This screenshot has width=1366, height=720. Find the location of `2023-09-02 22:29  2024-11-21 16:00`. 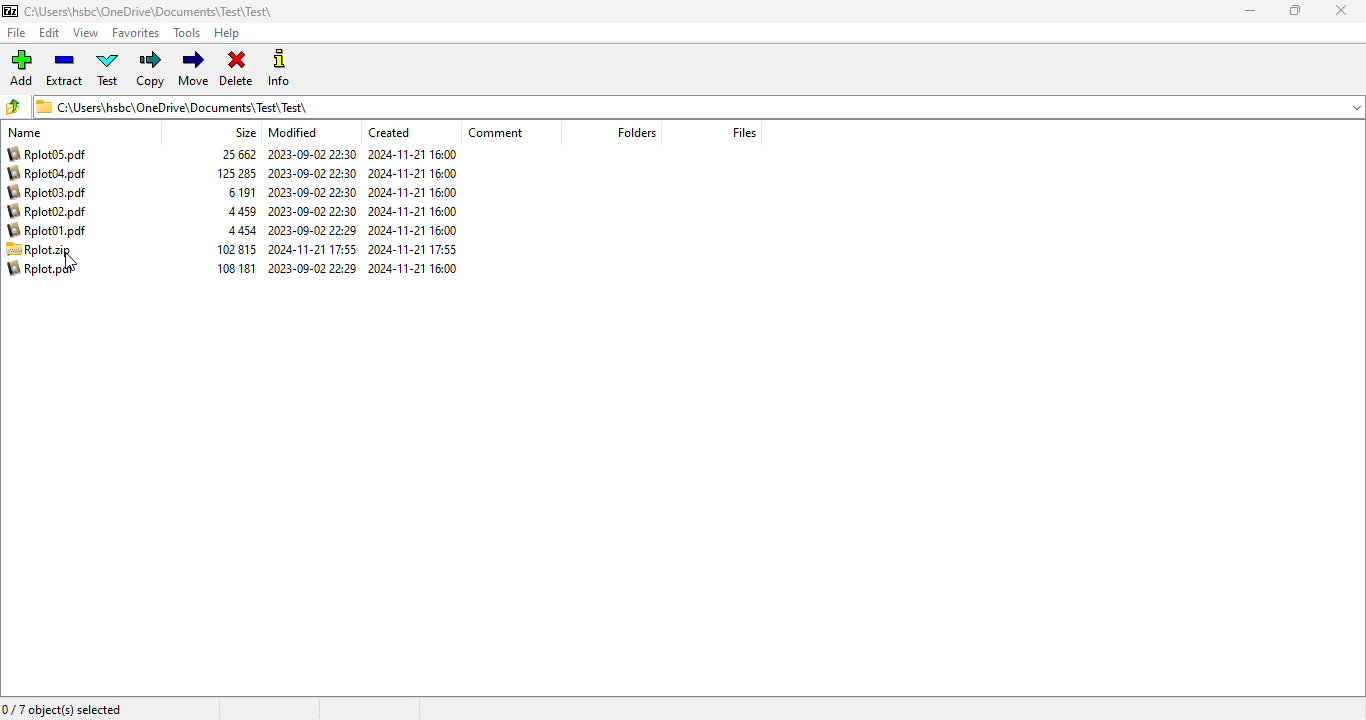

2023-09-02 22:29  2024-11-21 16:00 is located at coordinates (363, 231).